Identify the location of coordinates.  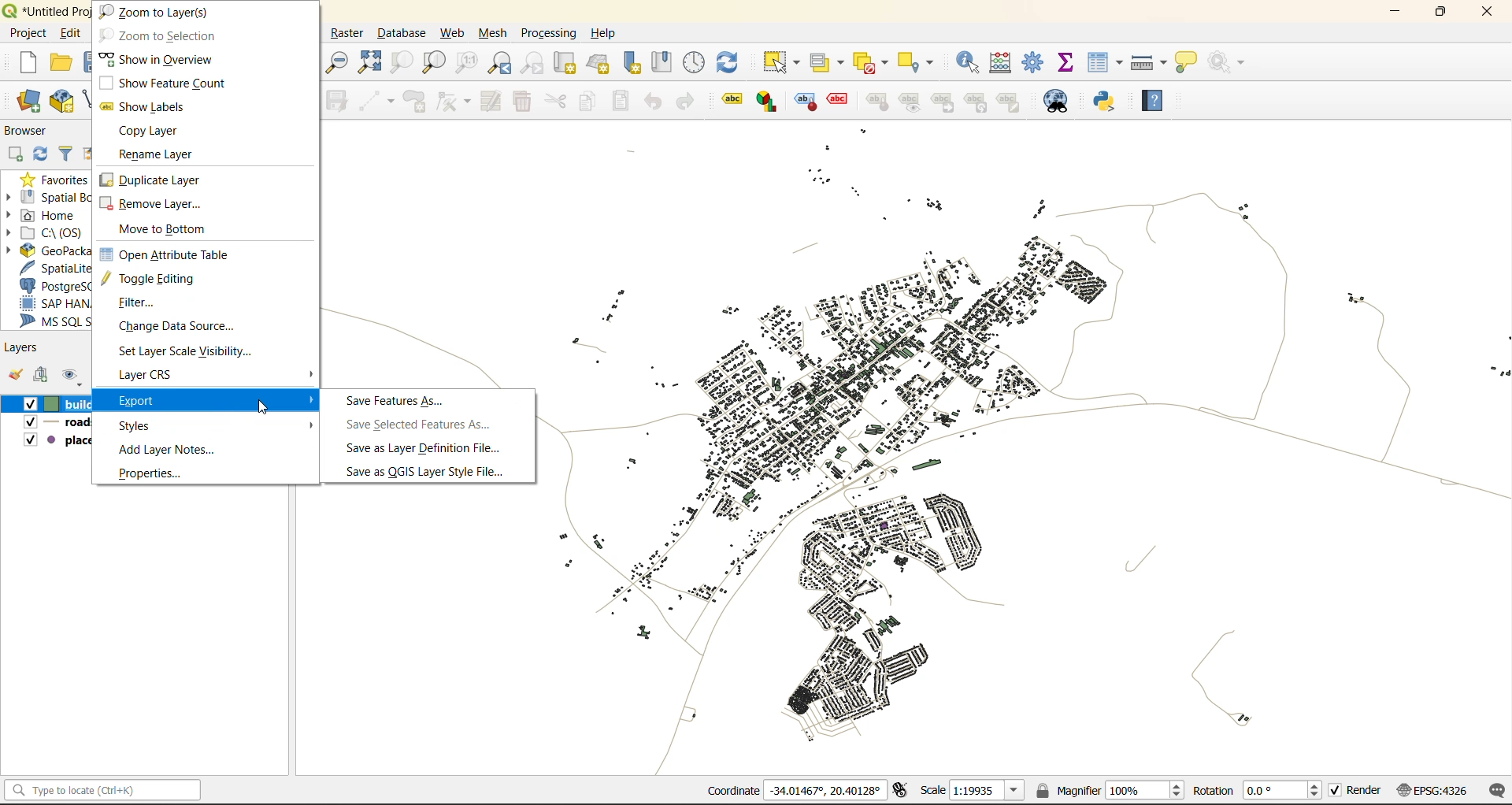
(802, 792).